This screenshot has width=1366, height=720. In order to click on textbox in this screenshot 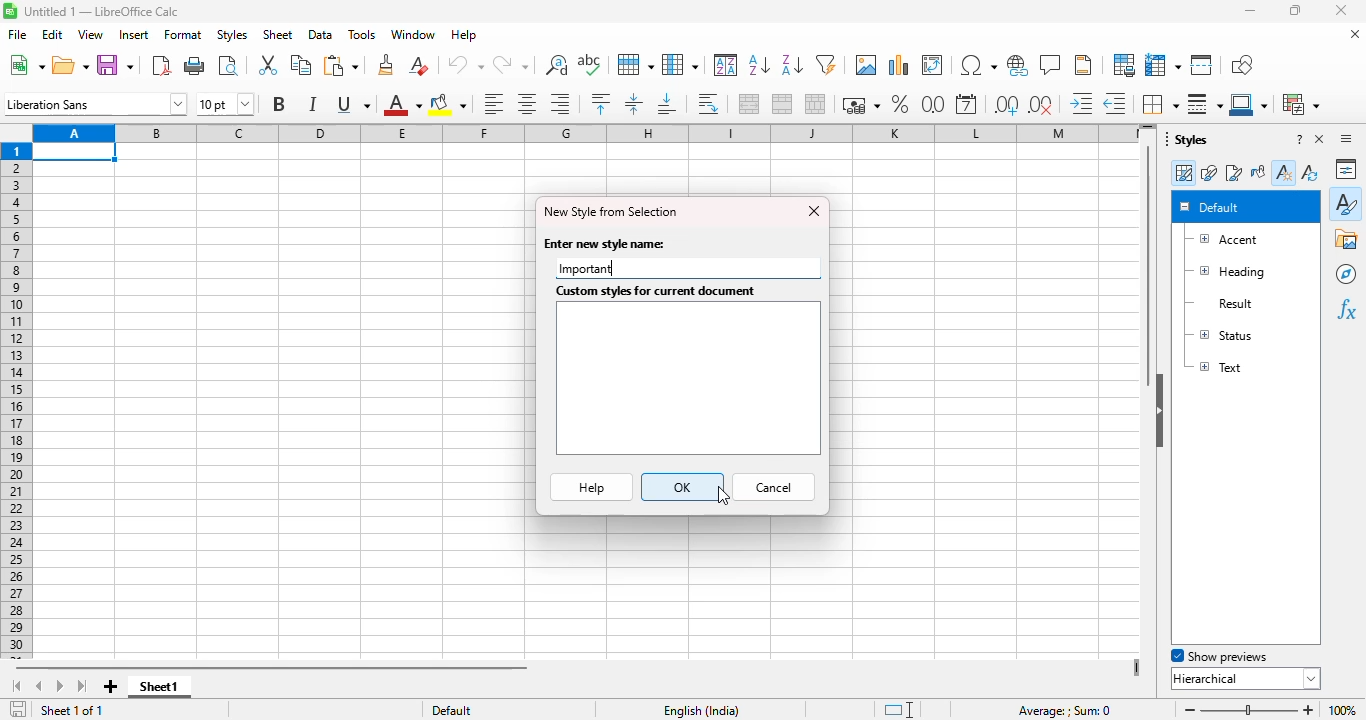, I will do `click(688, 379)`.